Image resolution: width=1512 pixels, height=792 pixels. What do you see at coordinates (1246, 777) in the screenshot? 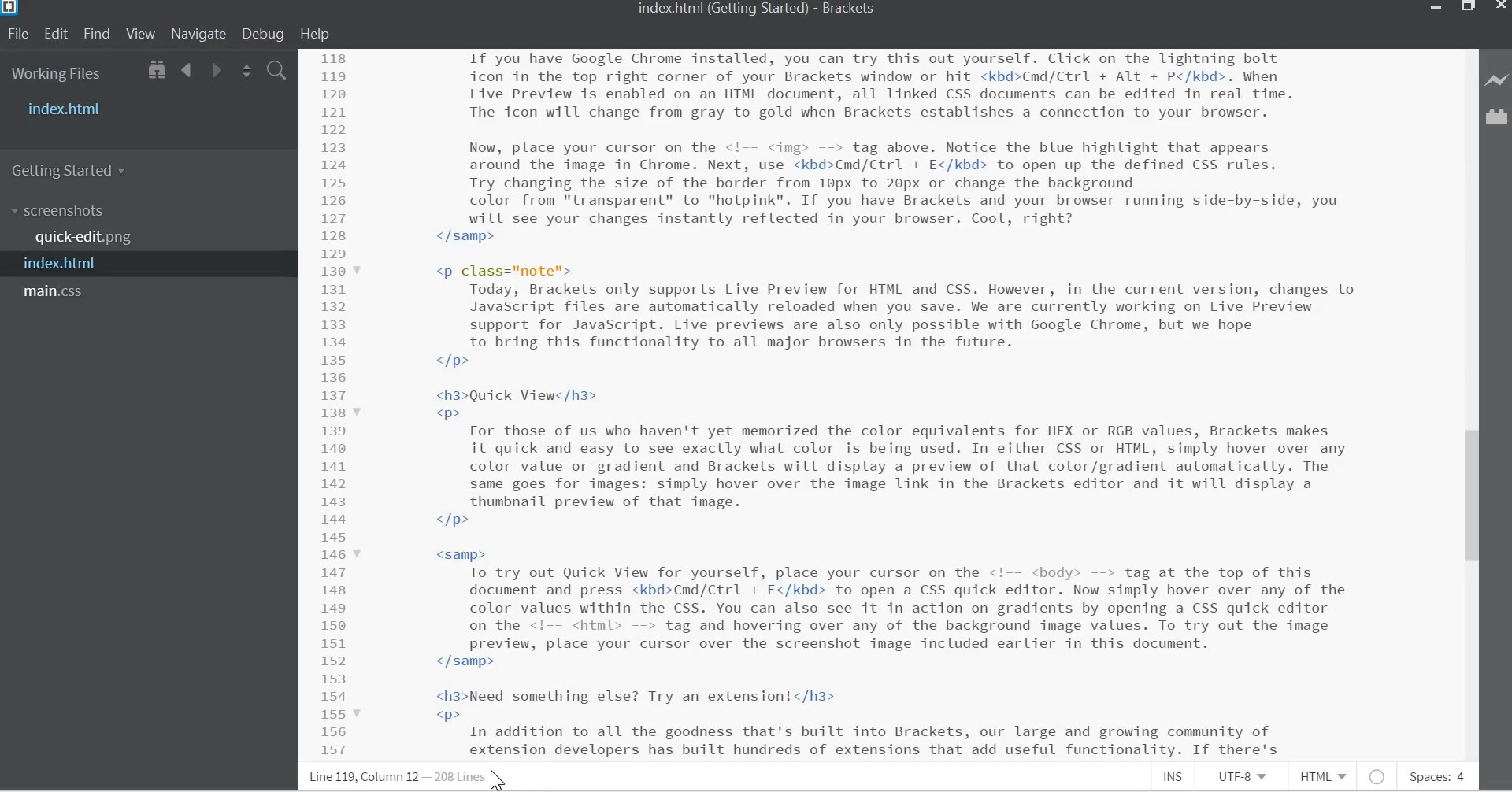
I see `File Encoding` at bounding box center [1246, 777].